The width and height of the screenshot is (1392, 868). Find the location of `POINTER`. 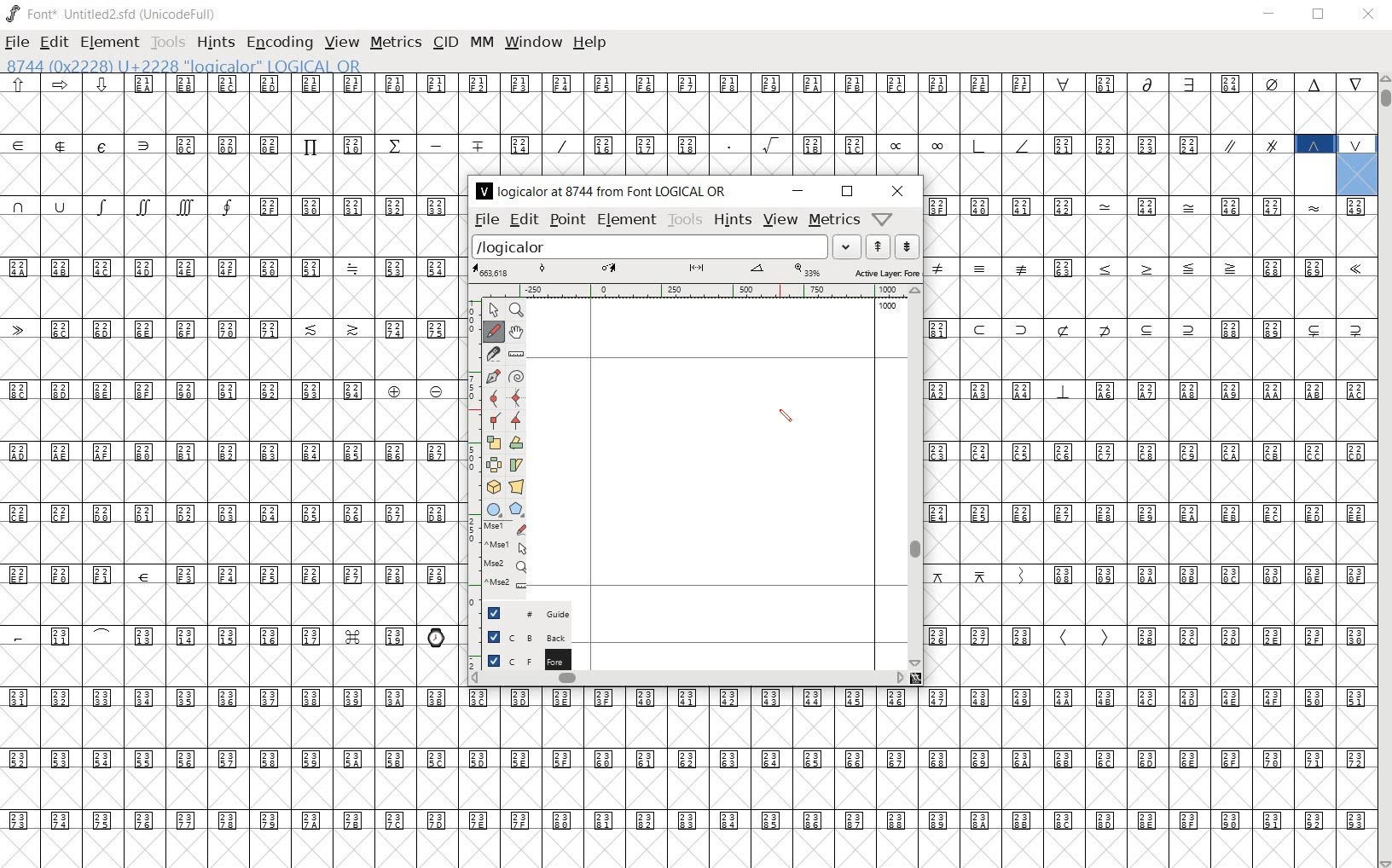

POINTER is located at coordinates (493, 310).